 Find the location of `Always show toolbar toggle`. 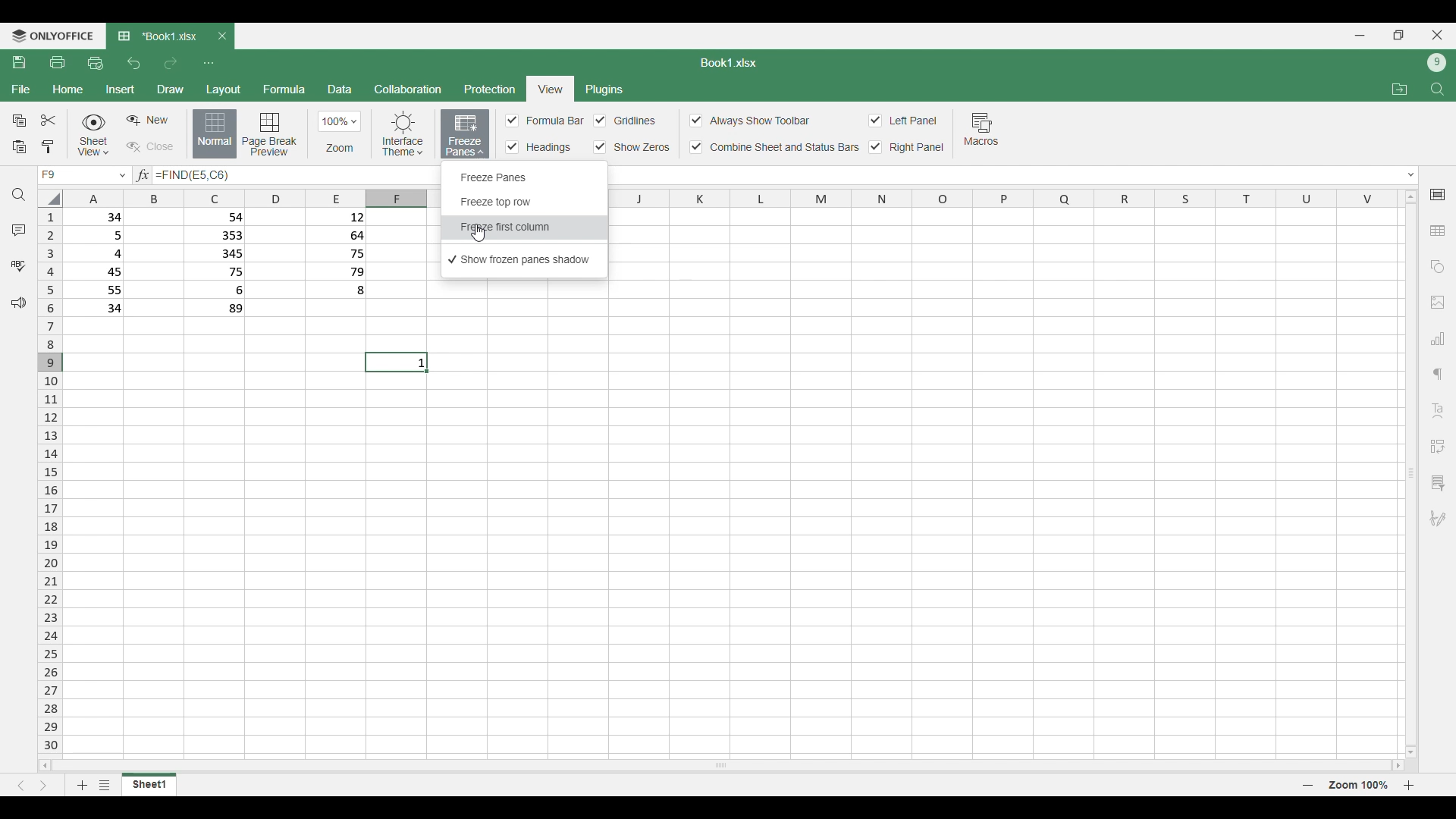

Always show toolbar toggle is located at coordinates (750, 121).